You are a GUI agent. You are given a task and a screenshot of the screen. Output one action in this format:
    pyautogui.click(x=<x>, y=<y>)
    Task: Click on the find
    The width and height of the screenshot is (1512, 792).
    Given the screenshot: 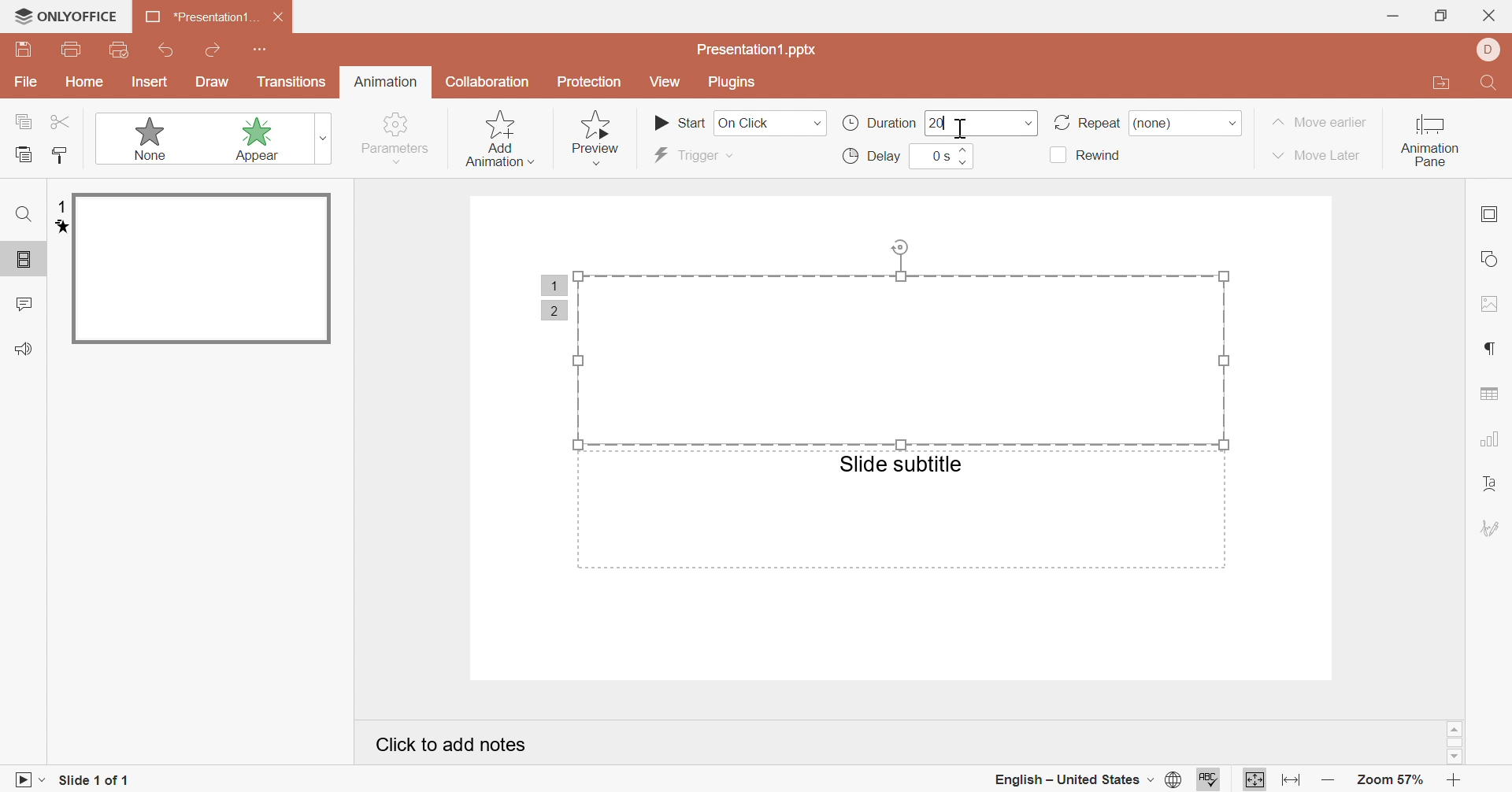 What is the action you would take?
    pyautogui.click(x=26, y=213)
    